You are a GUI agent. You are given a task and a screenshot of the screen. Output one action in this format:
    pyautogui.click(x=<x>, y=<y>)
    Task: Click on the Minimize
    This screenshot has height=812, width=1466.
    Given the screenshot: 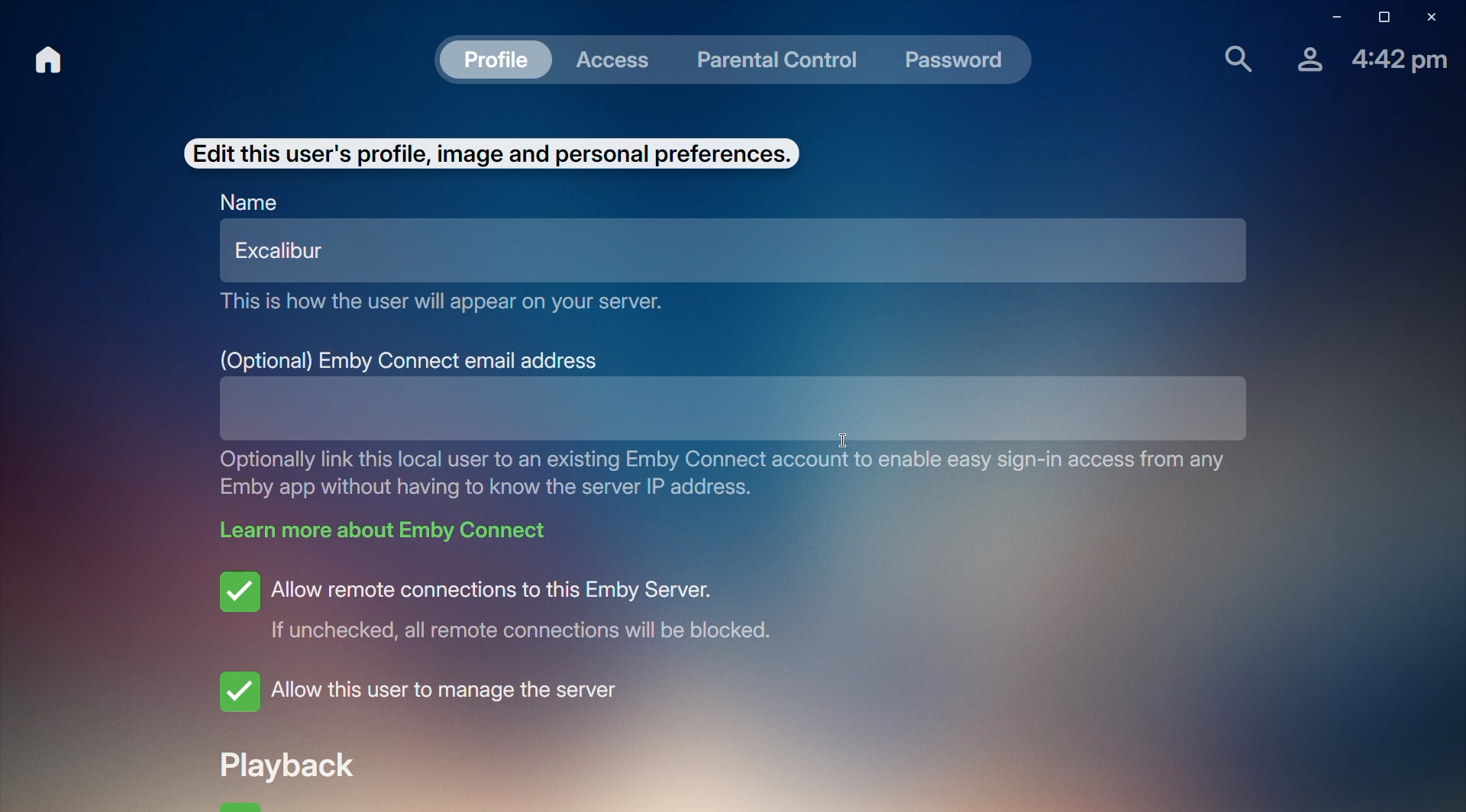 What is the action you would take?
    pyautogui.click(x=1331, y=19)
    